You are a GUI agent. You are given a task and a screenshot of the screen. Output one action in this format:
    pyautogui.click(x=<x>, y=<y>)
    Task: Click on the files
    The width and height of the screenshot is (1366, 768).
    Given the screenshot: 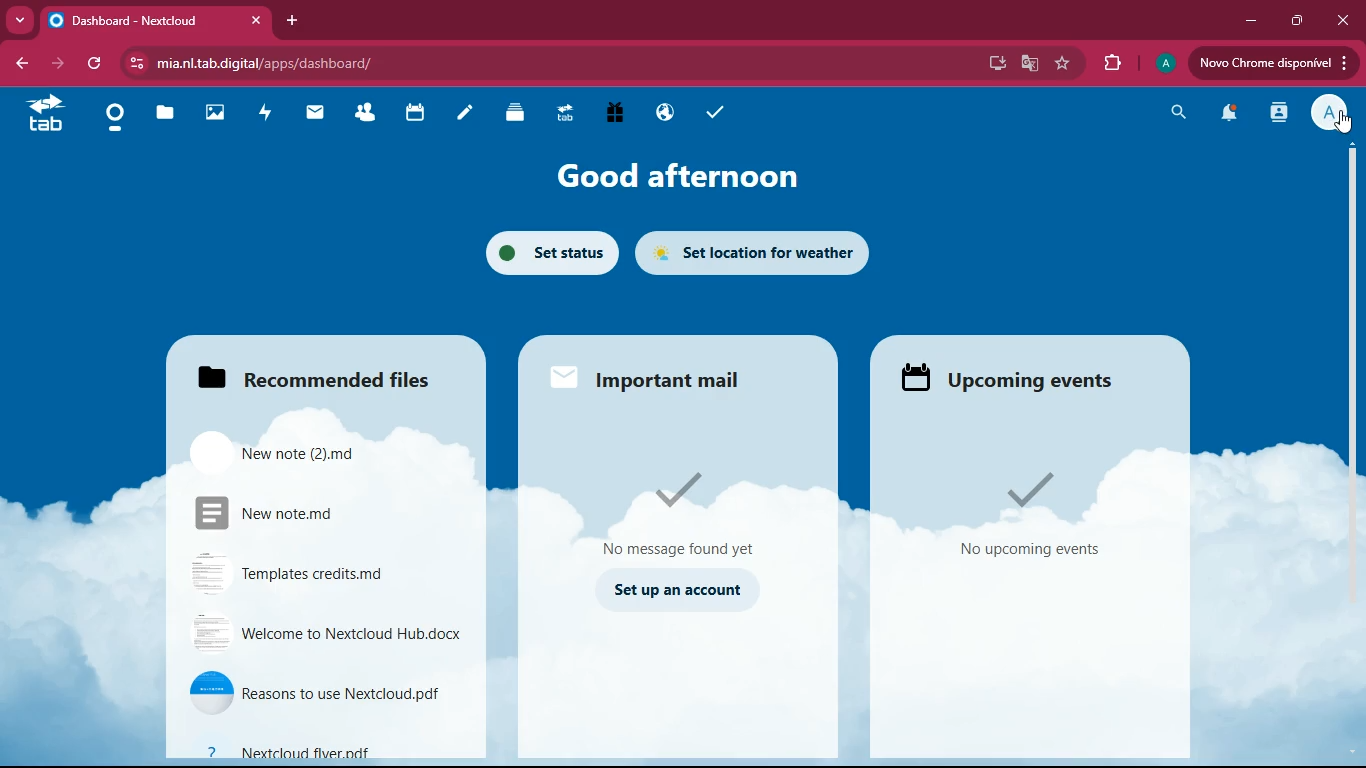 What is the action you would take?
    pyautogui.click(x=164, y=115)
    